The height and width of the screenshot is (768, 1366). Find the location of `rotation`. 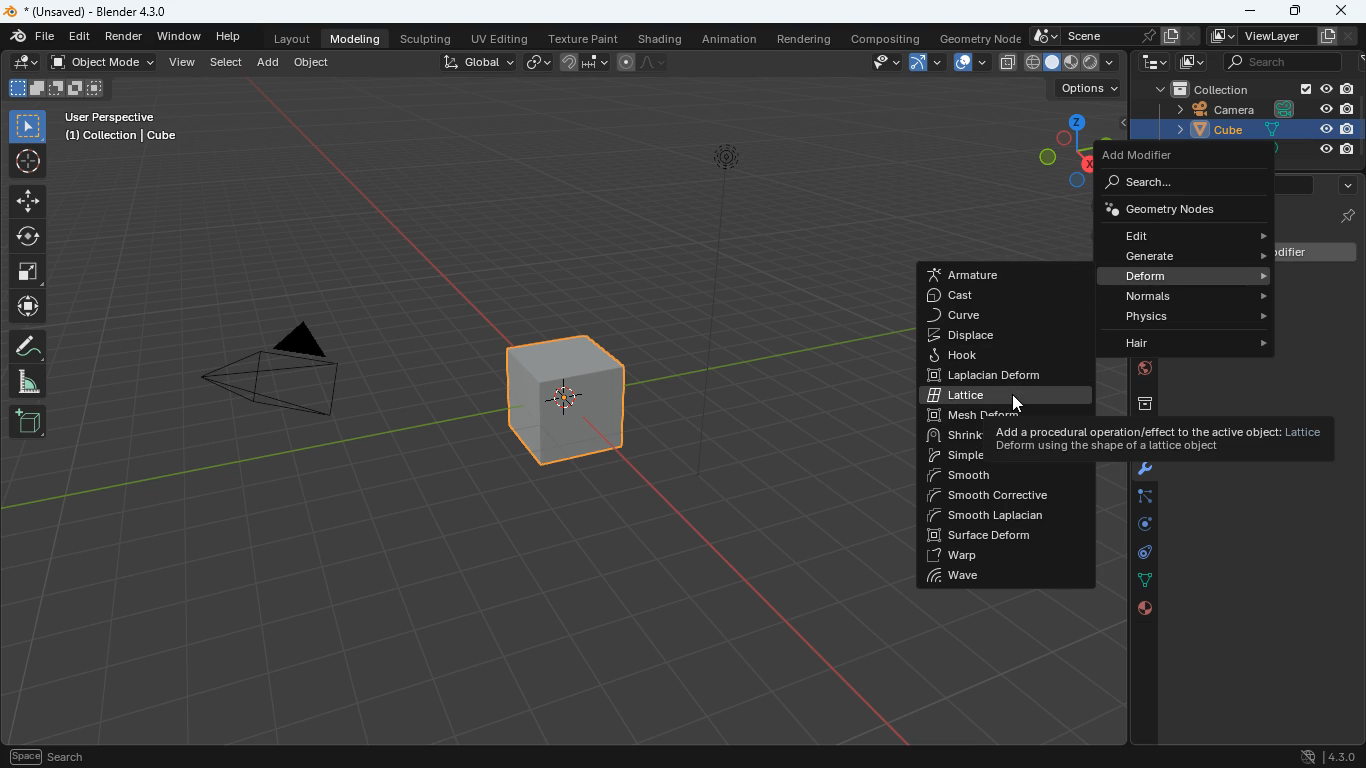

rotation is located at coordinates (1135, 526).